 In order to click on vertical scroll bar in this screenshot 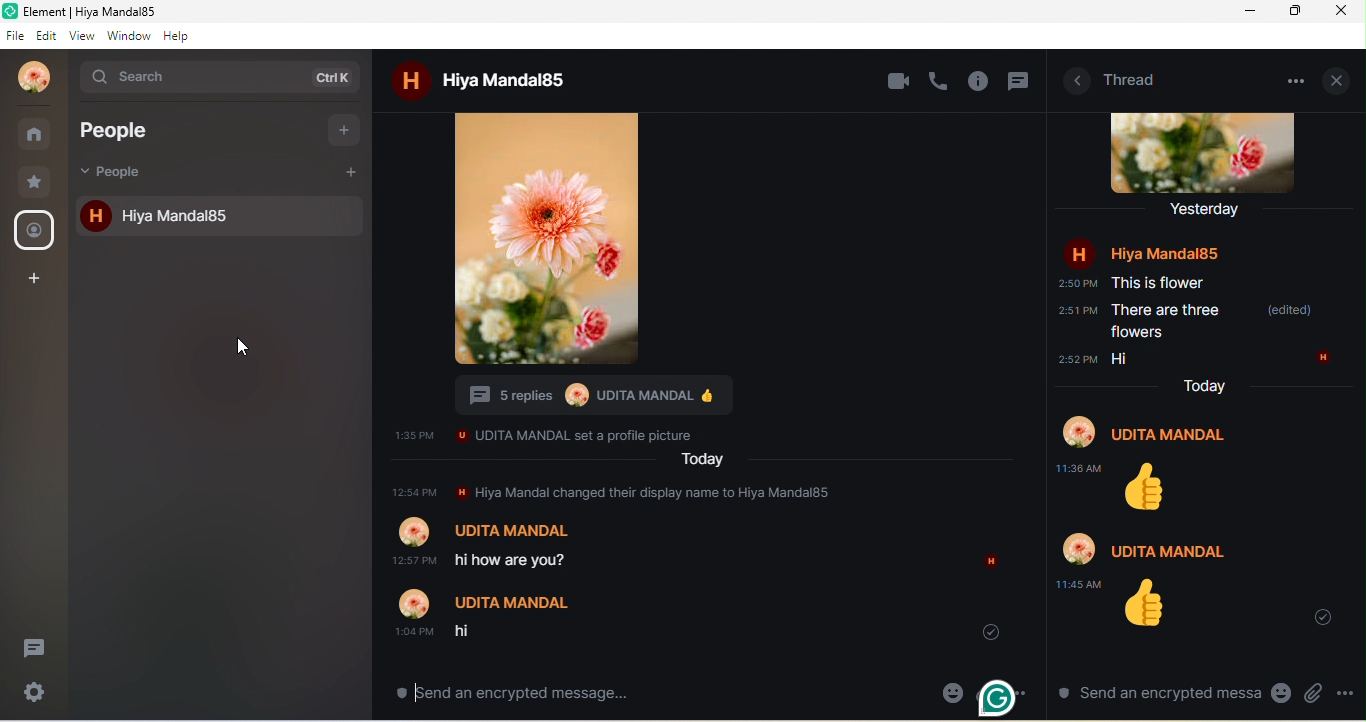, I will do `click(1037, 582)`.